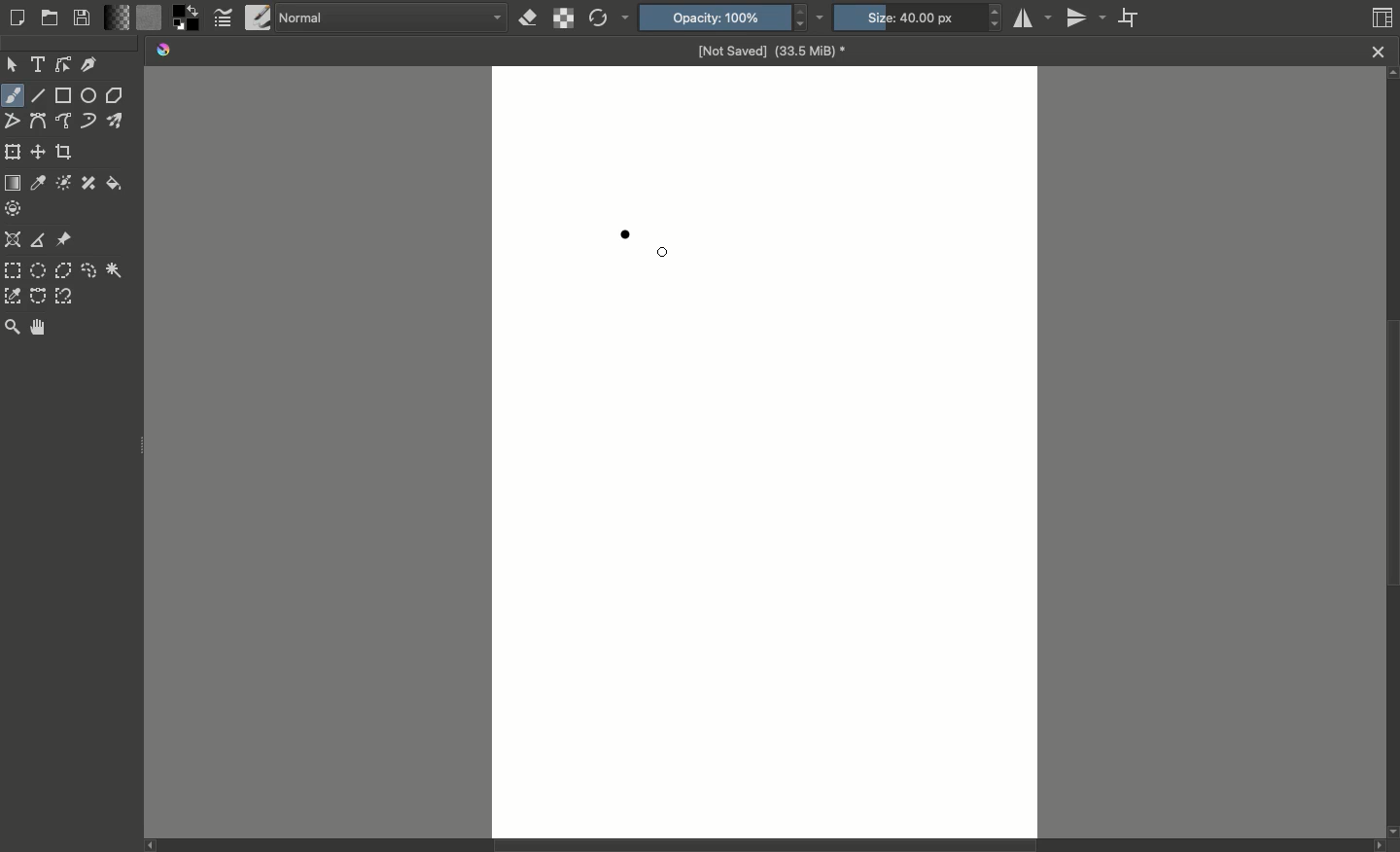 The image size is (1400, 852). Describe the element at coordinates (751, 847) in the screenshot. I see `Status bar` at that location.